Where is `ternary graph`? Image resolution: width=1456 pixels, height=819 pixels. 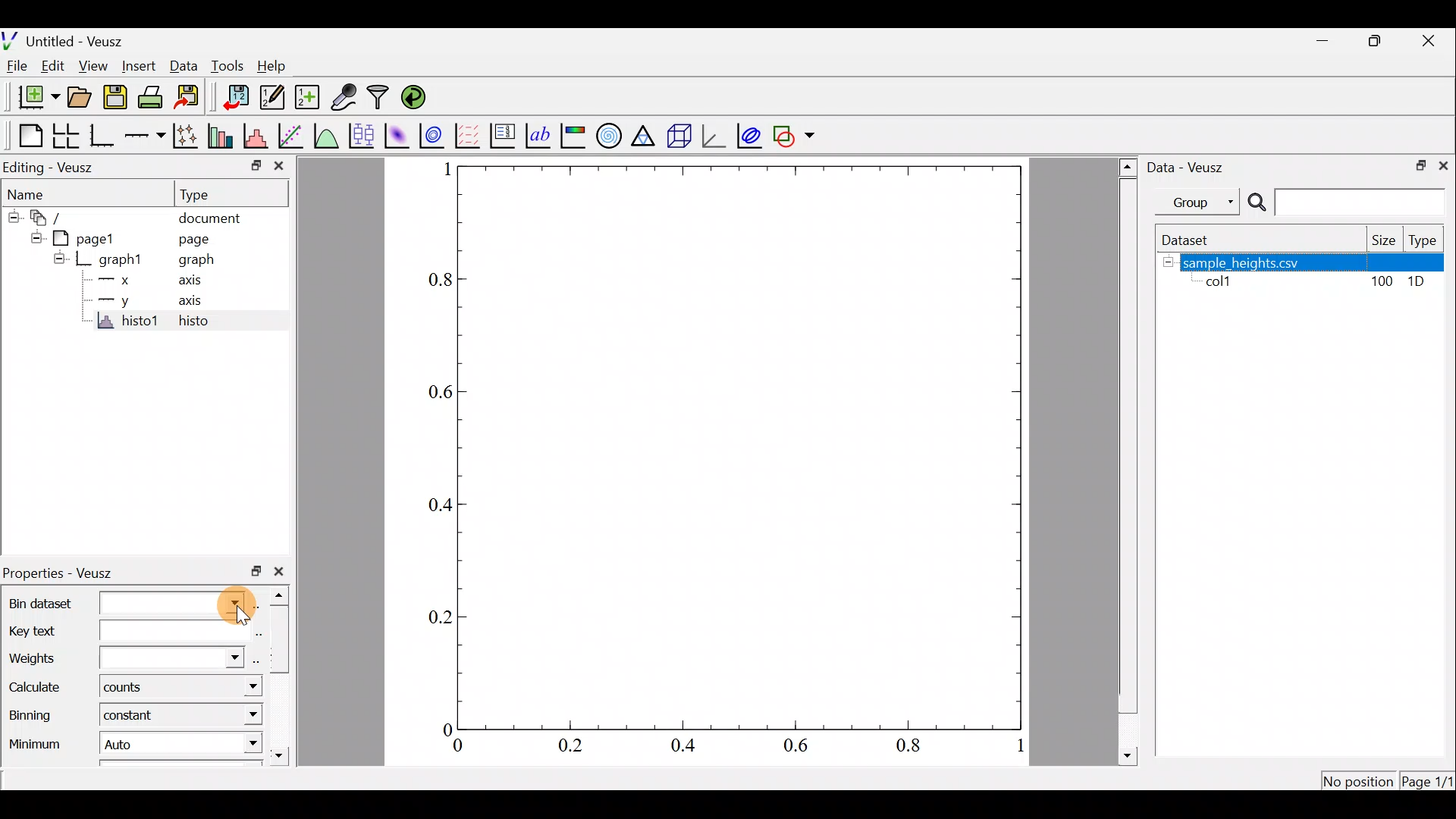 ternary graph is located at coordinates (647, 136).